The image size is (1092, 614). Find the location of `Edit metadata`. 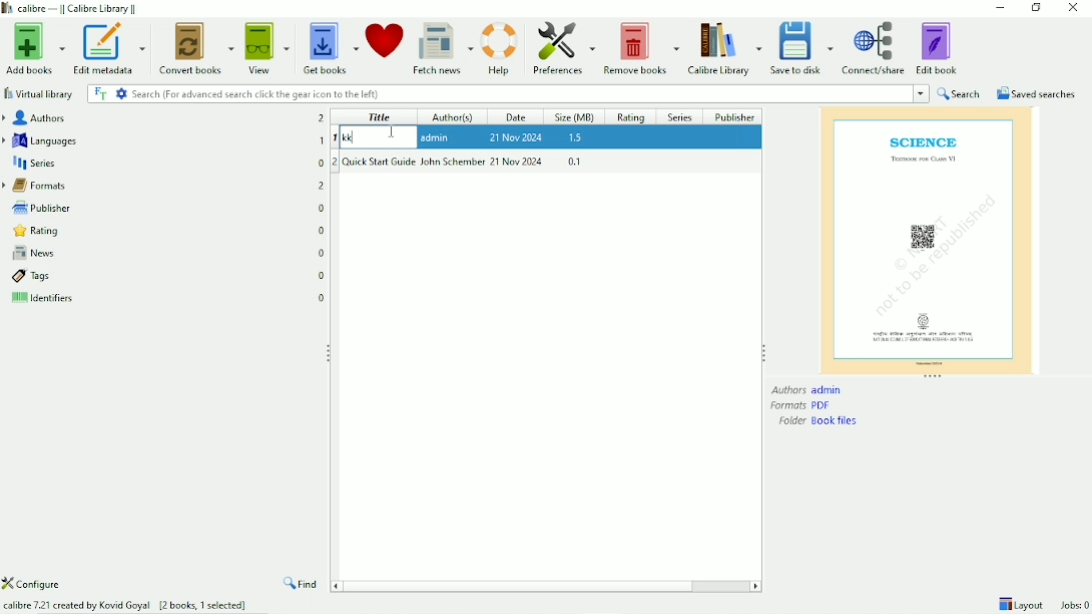

Edit metadata is located at coordinates (111, 48).